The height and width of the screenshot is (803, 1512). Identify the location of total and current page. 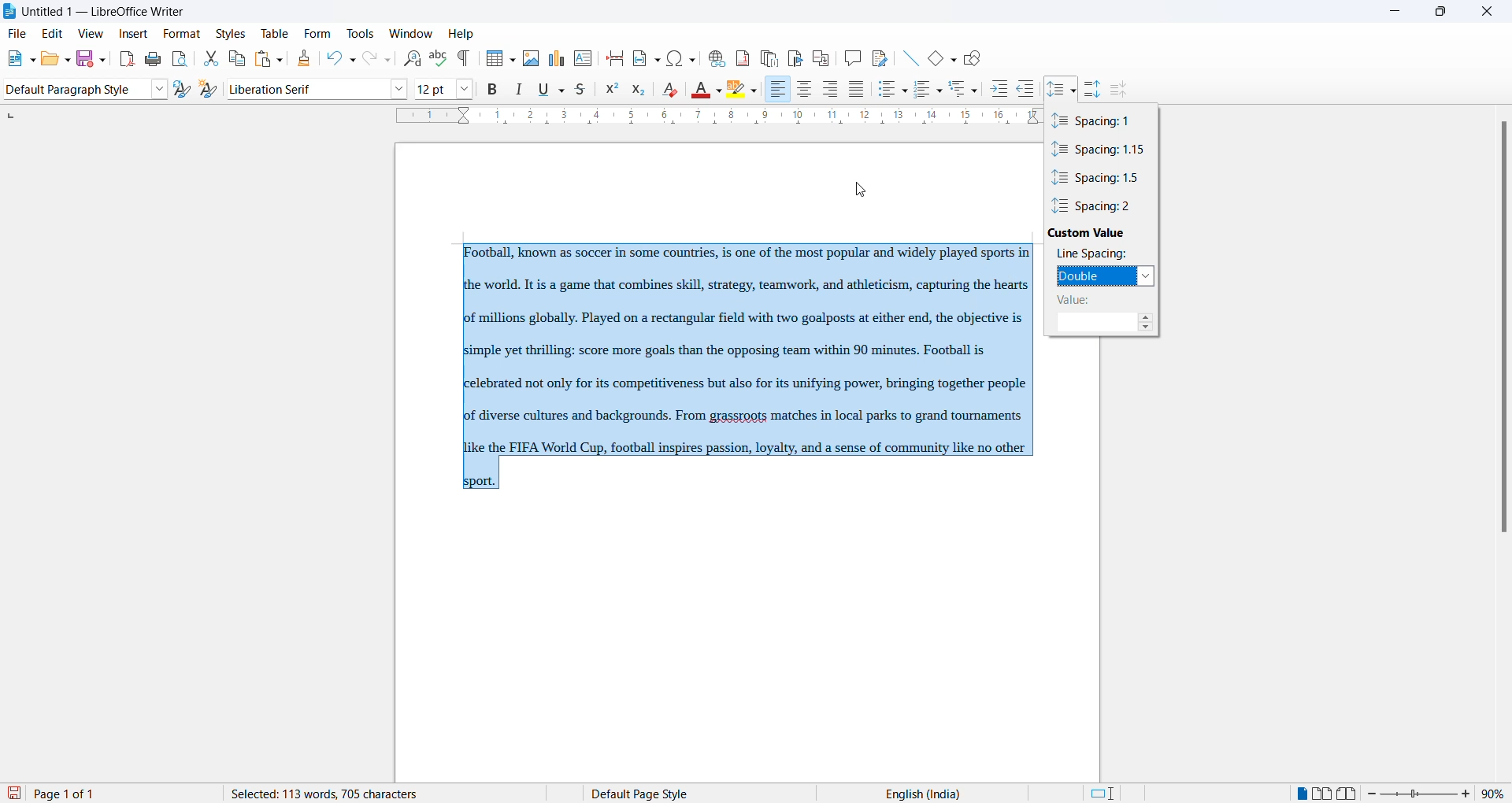
(124, 792).